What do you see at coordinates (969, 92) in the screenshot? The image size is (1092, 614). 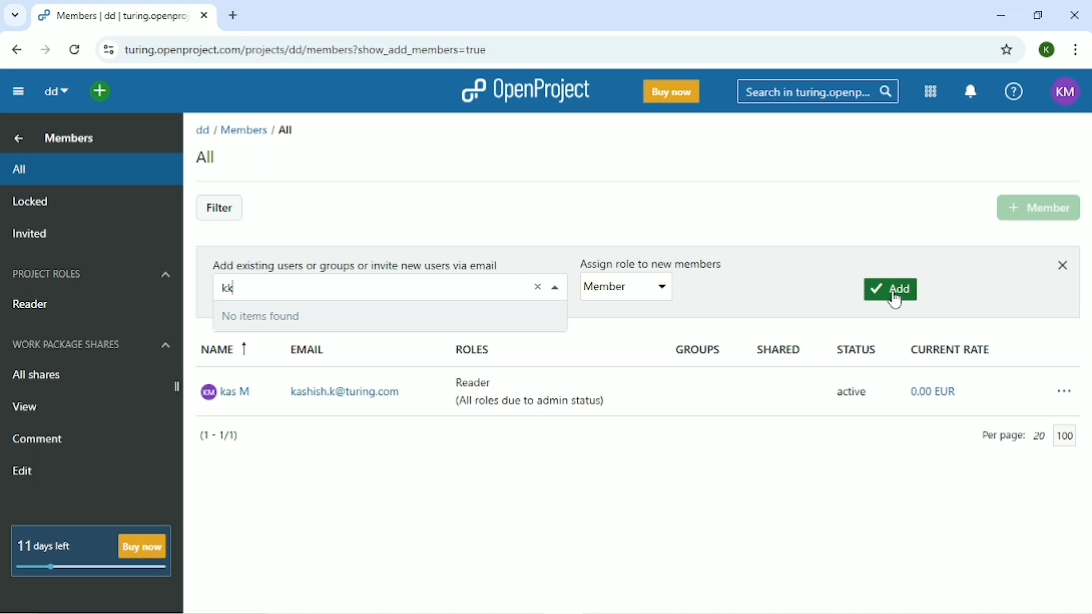 I see `To notification center` at bounding box center [969, 92].